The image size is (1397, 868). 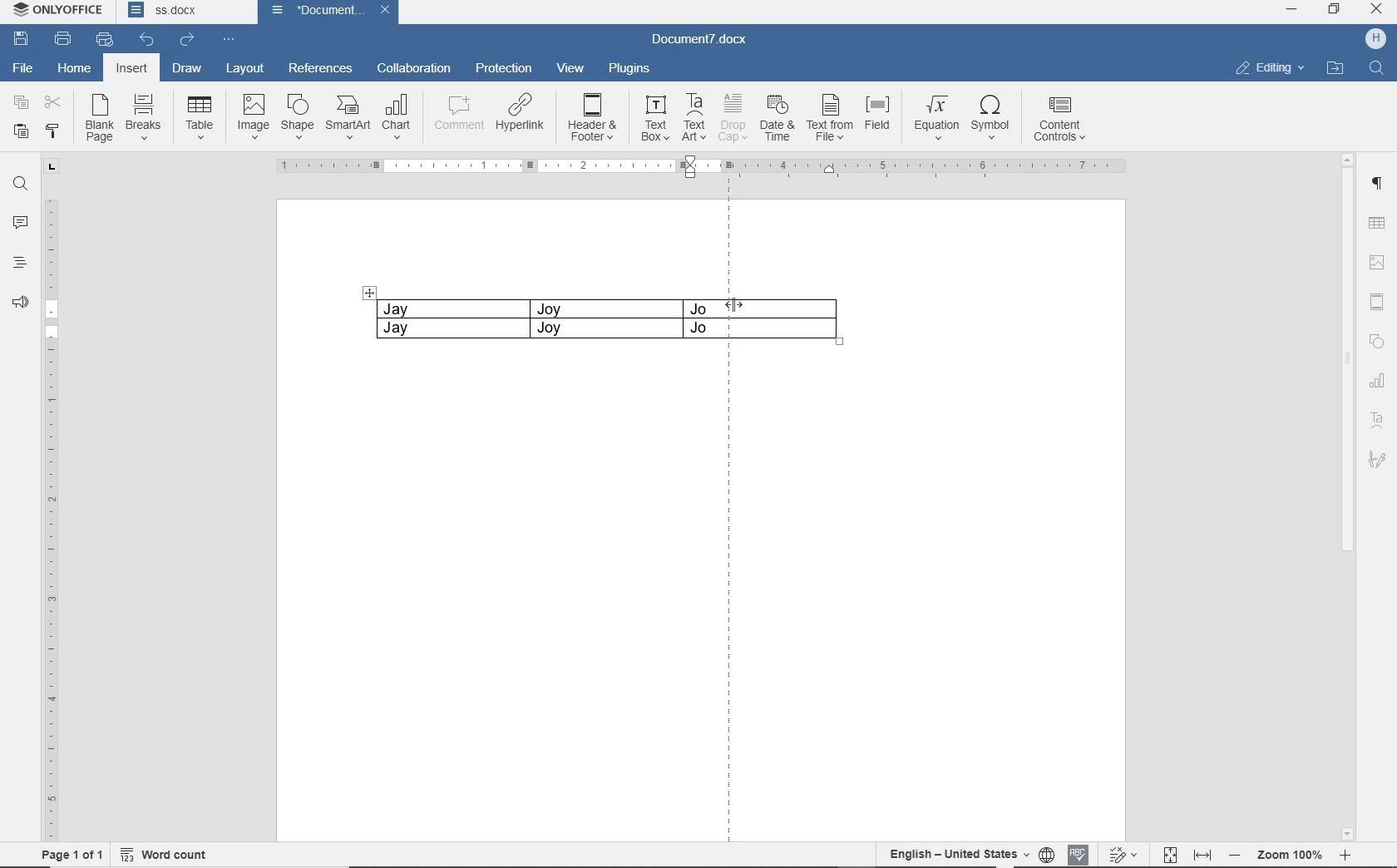 What do you see at coordinates (541, 321) in the screenshot?
I see `TABLE` at bounding box center [541, 321].